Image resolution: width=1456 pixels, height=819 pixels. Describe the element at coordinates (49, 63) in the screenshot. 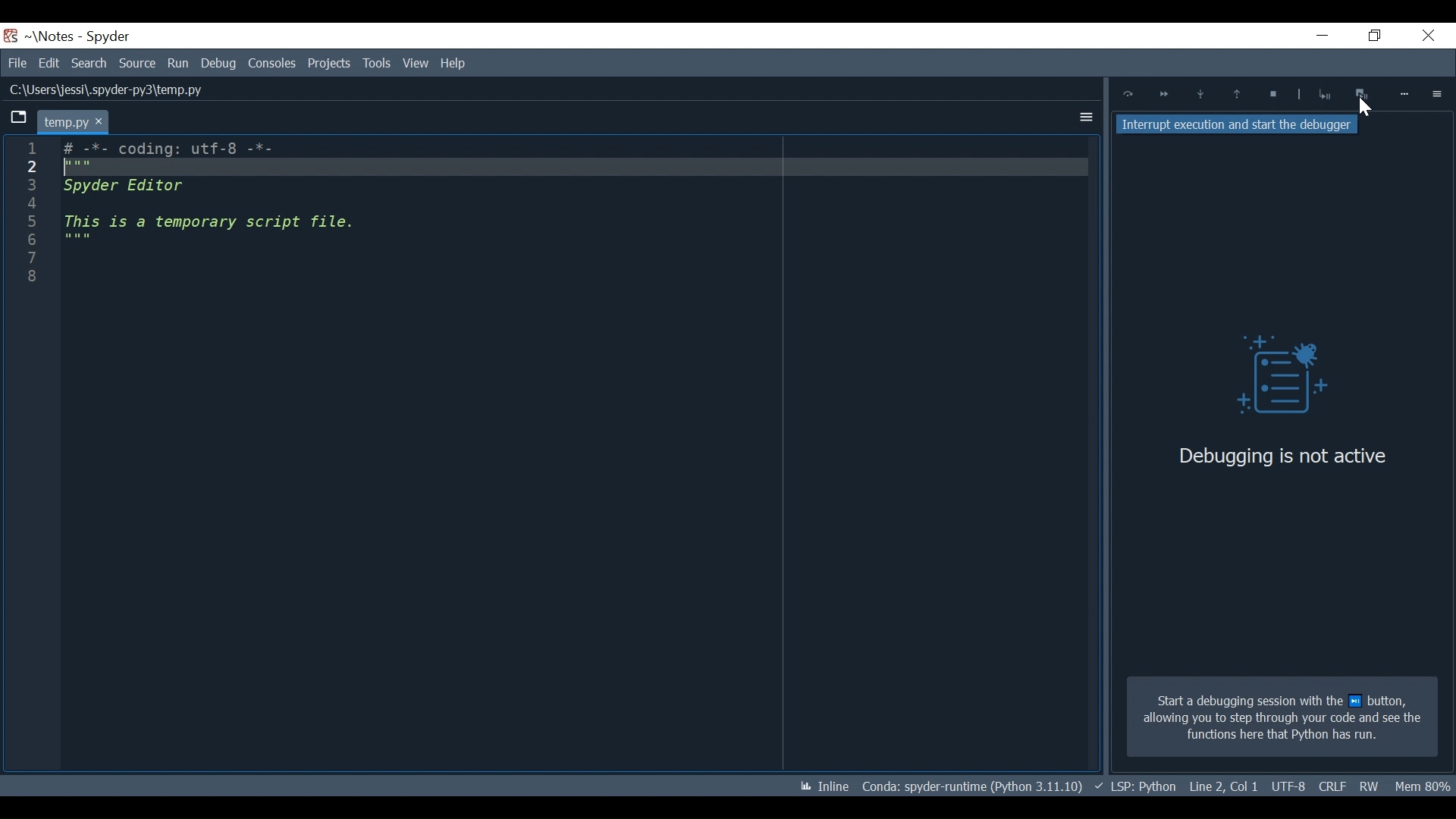

I see `Edit` at that location.